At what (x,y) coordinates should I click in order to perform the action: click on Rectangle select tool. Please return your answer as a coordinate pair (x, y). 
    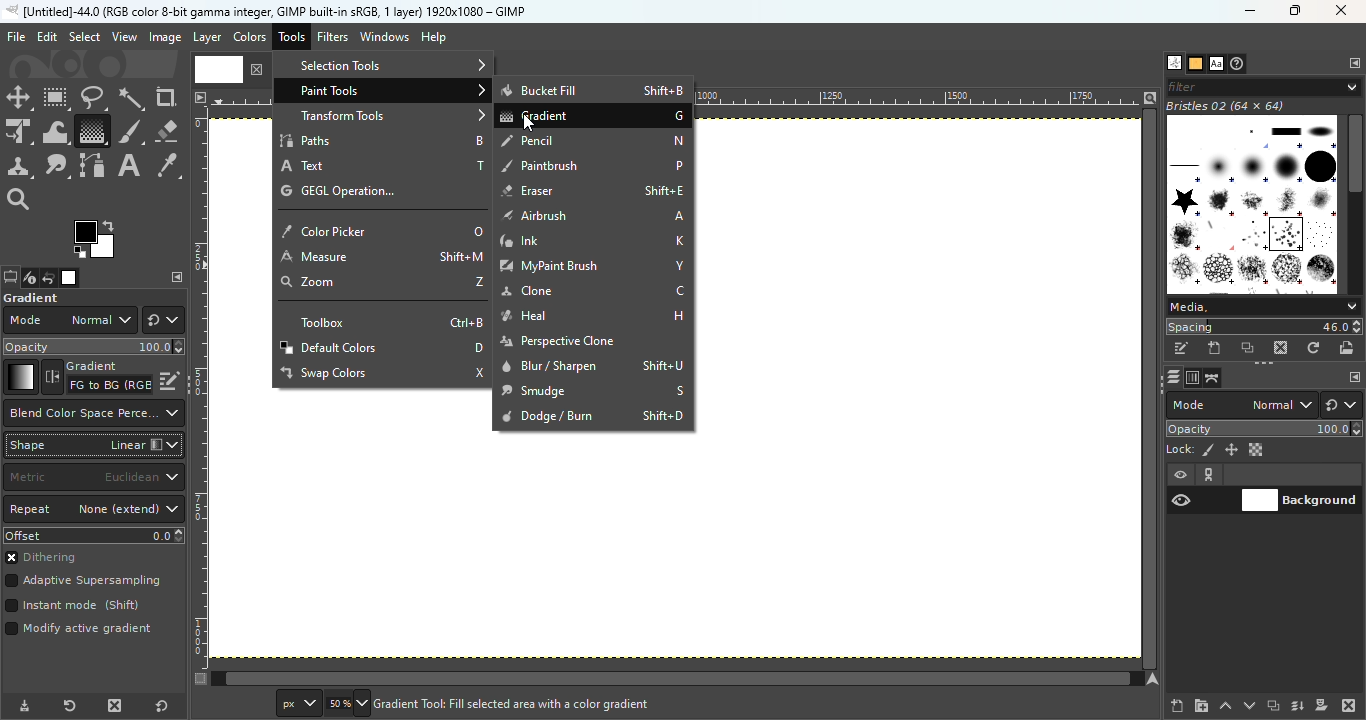
    Looking at the image, I should click on (57, 99).